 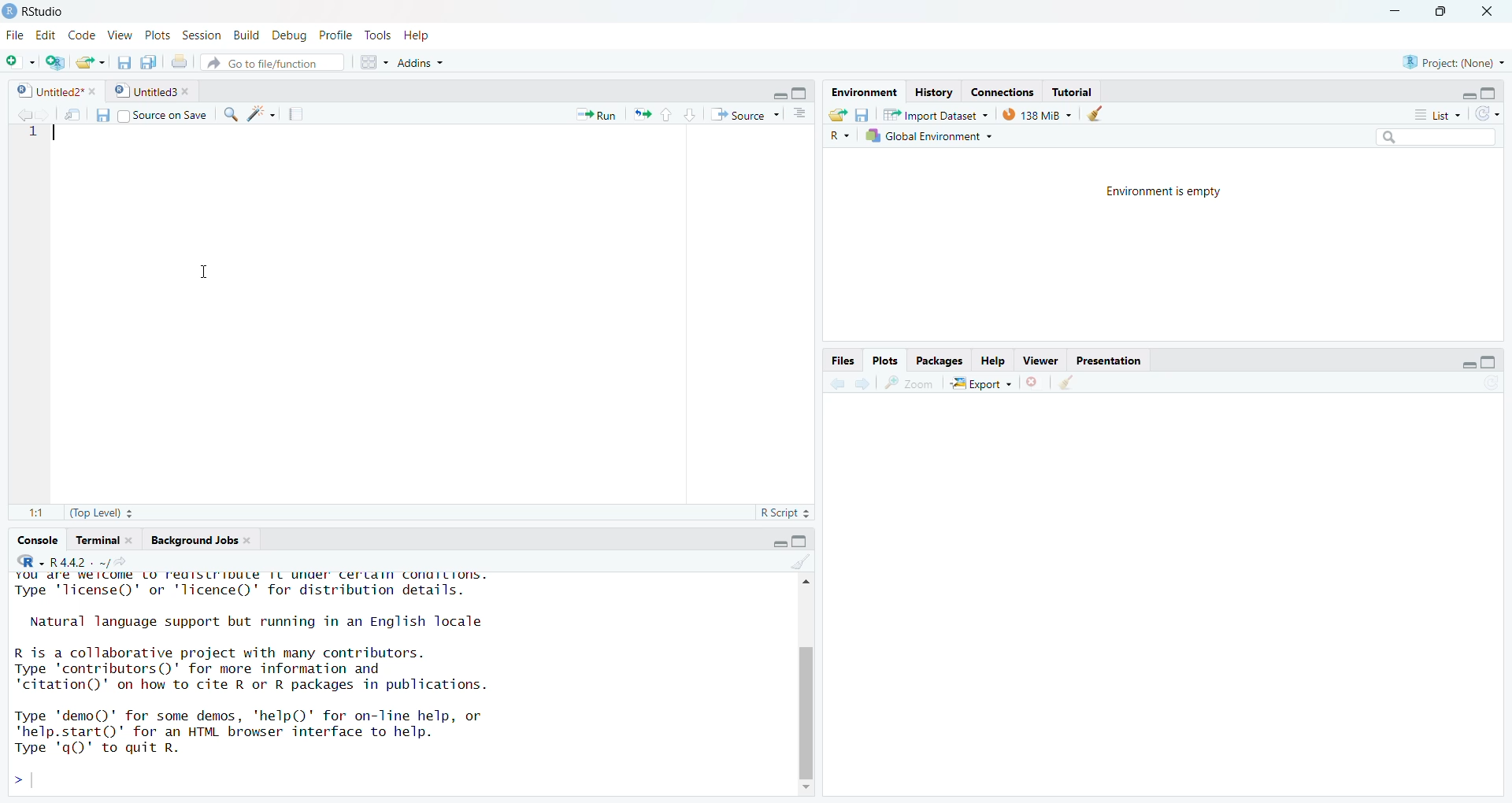 What do you see at coordinates (272, 62) in the screenshot?
I see `Go to file/function` at bounding box center [272, 62].